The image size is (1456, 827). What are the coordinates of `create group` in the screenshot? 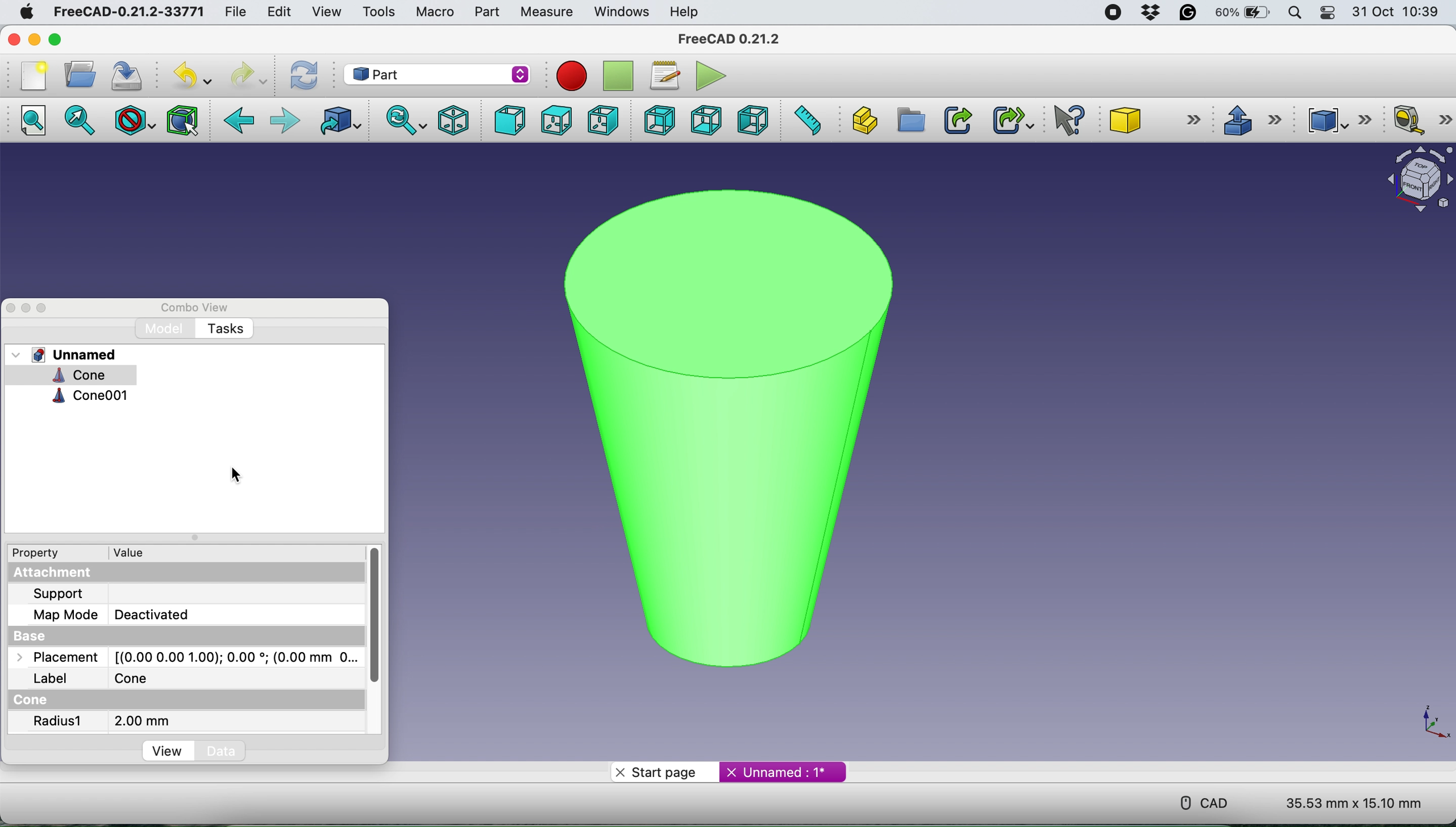 It's located at (910, 121).